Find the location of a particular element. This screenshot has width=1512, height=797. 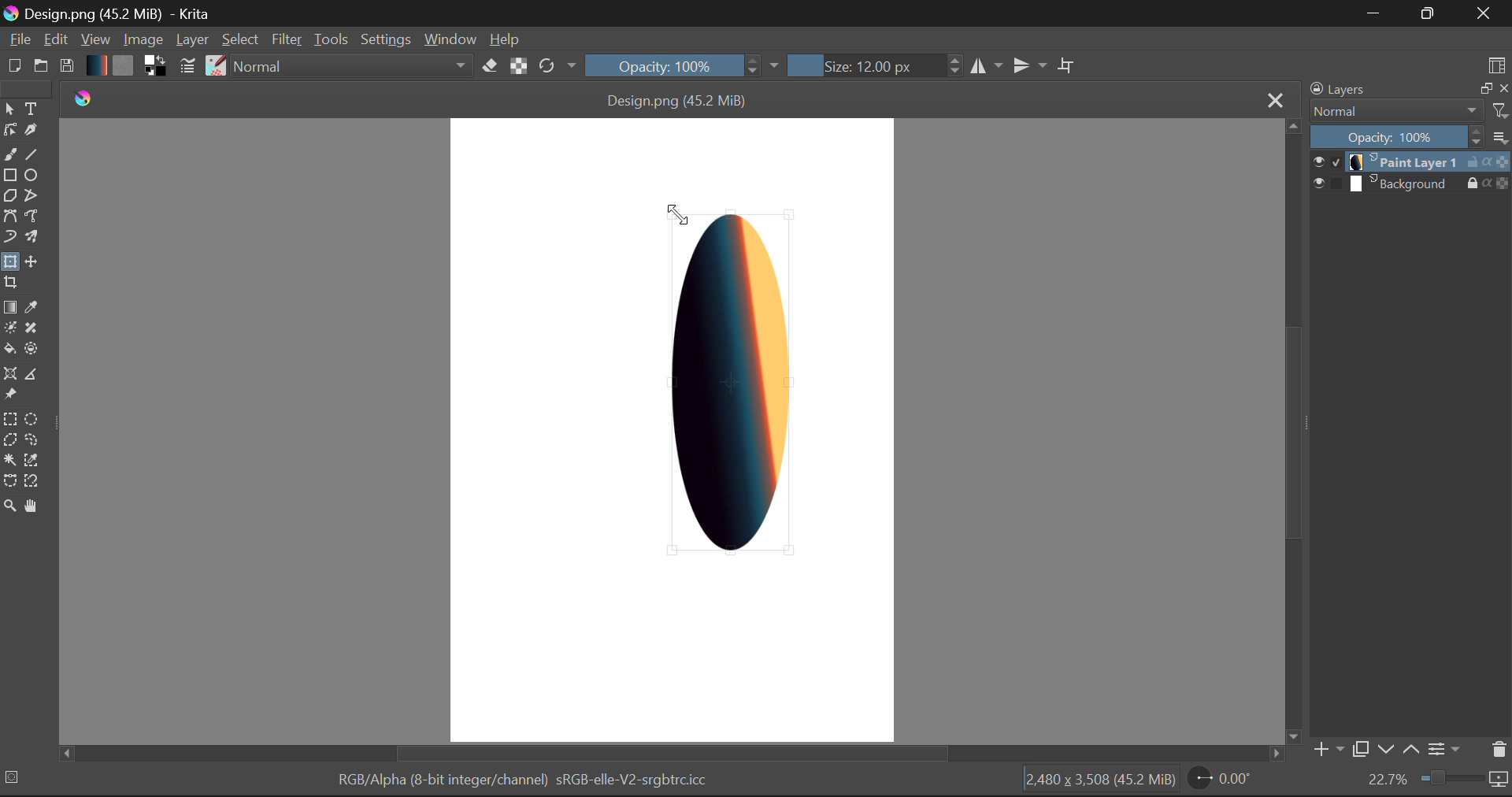

Move Layer Up/Down is located at coordinates (1399, 749).